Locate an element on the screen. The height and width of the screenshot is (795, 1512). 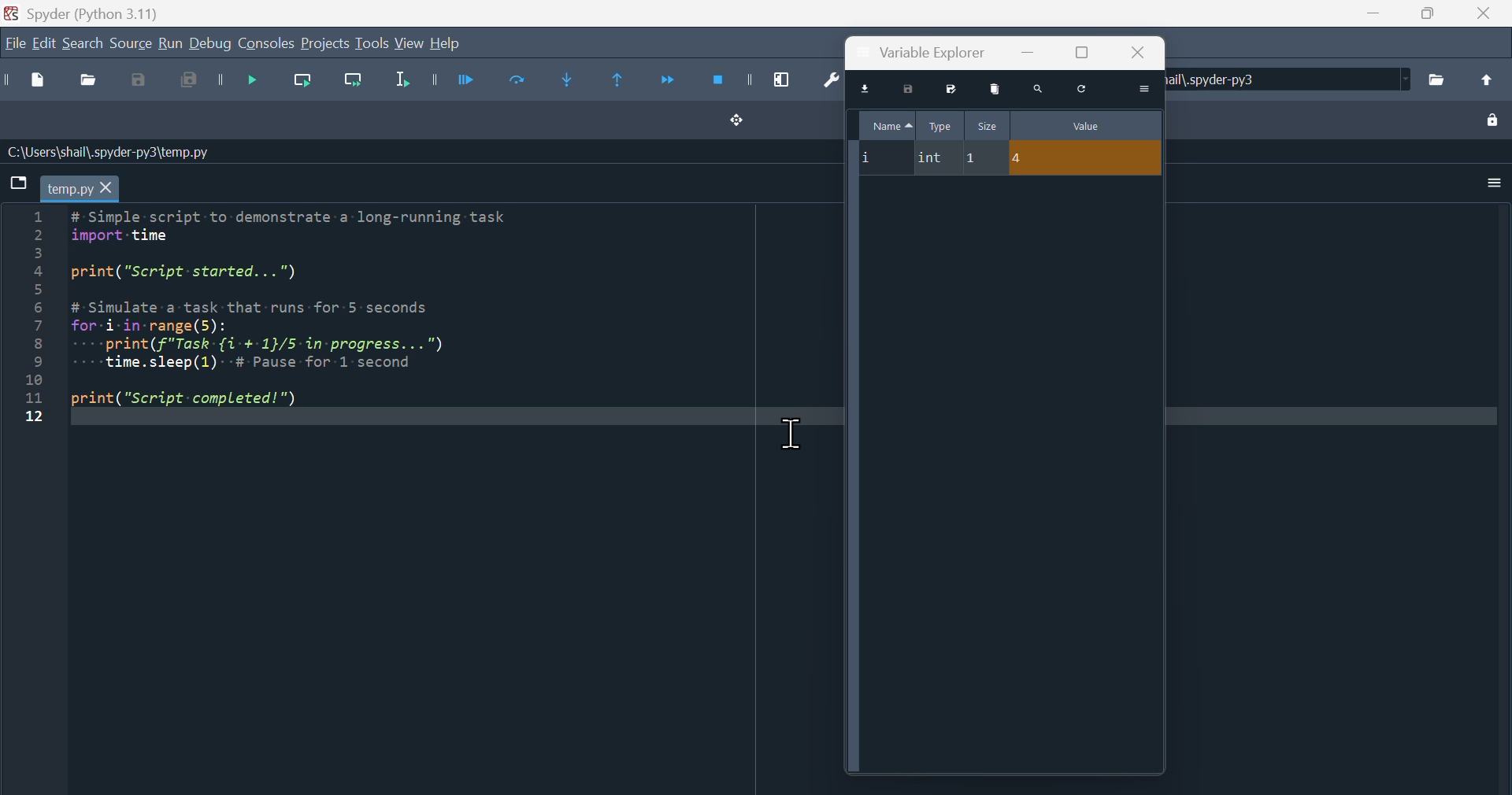
Drag and drop button is located at coordinates (739, 121).